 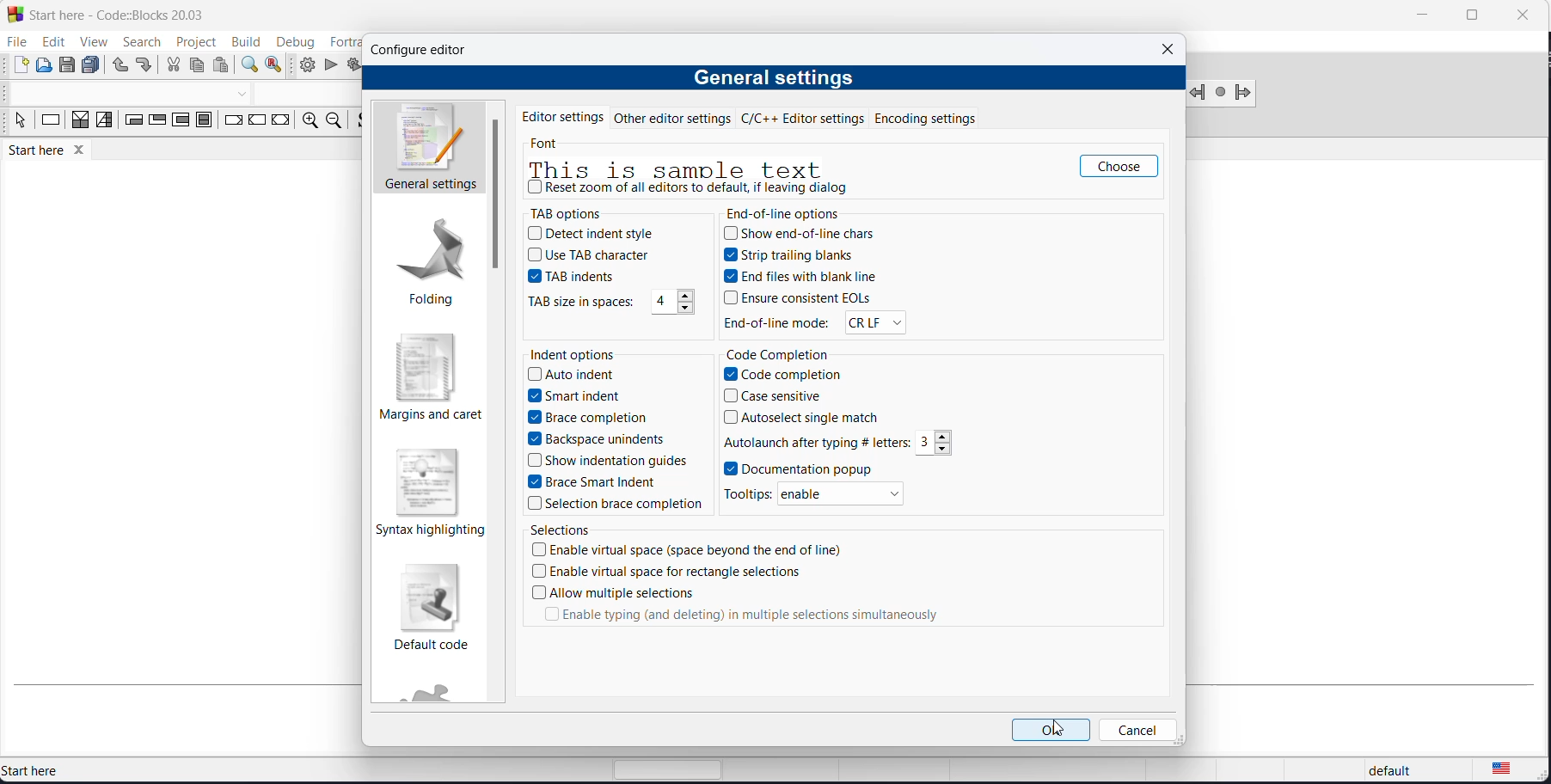 I want to click on copy, so click(x=199, y=67).